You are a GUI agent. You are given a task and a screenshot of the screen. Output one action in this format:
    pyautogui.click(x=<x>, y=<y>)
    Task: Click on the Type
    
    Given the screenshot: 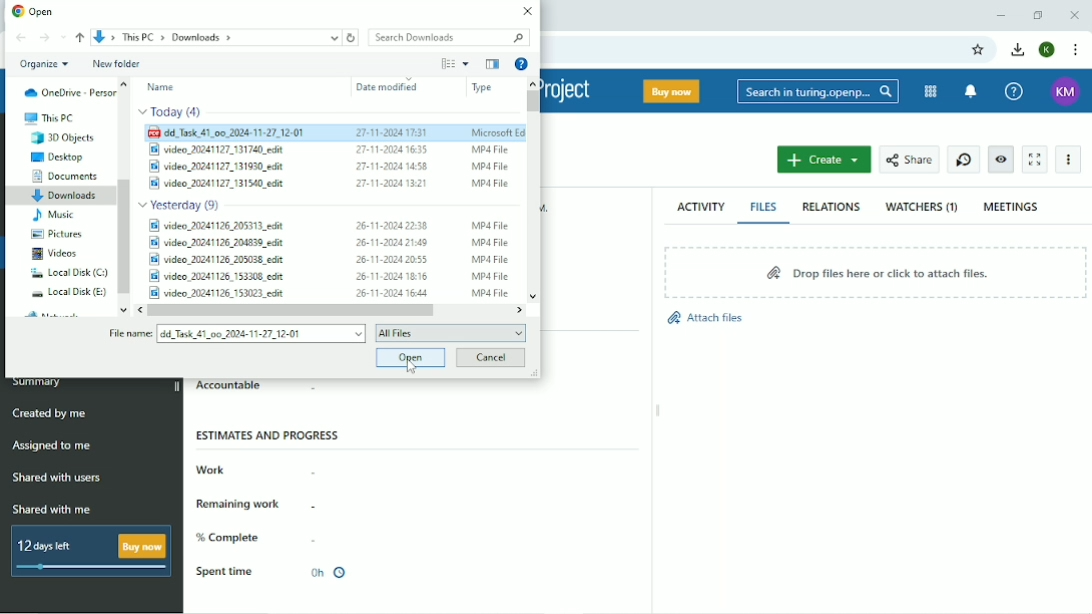 What is the action you would take?
    pyautogui.click(x=482, y=88)
    